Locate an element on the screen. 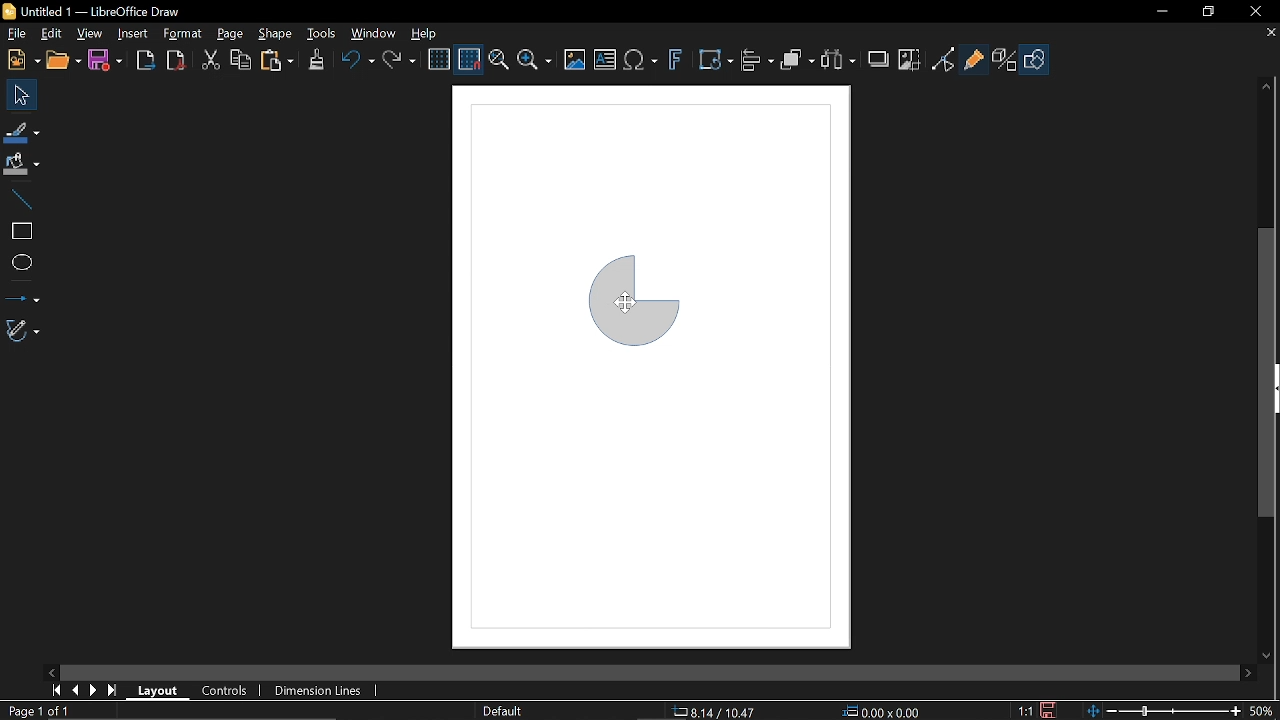  Select at least three objects to distribute is located at coordinates (839, 61).